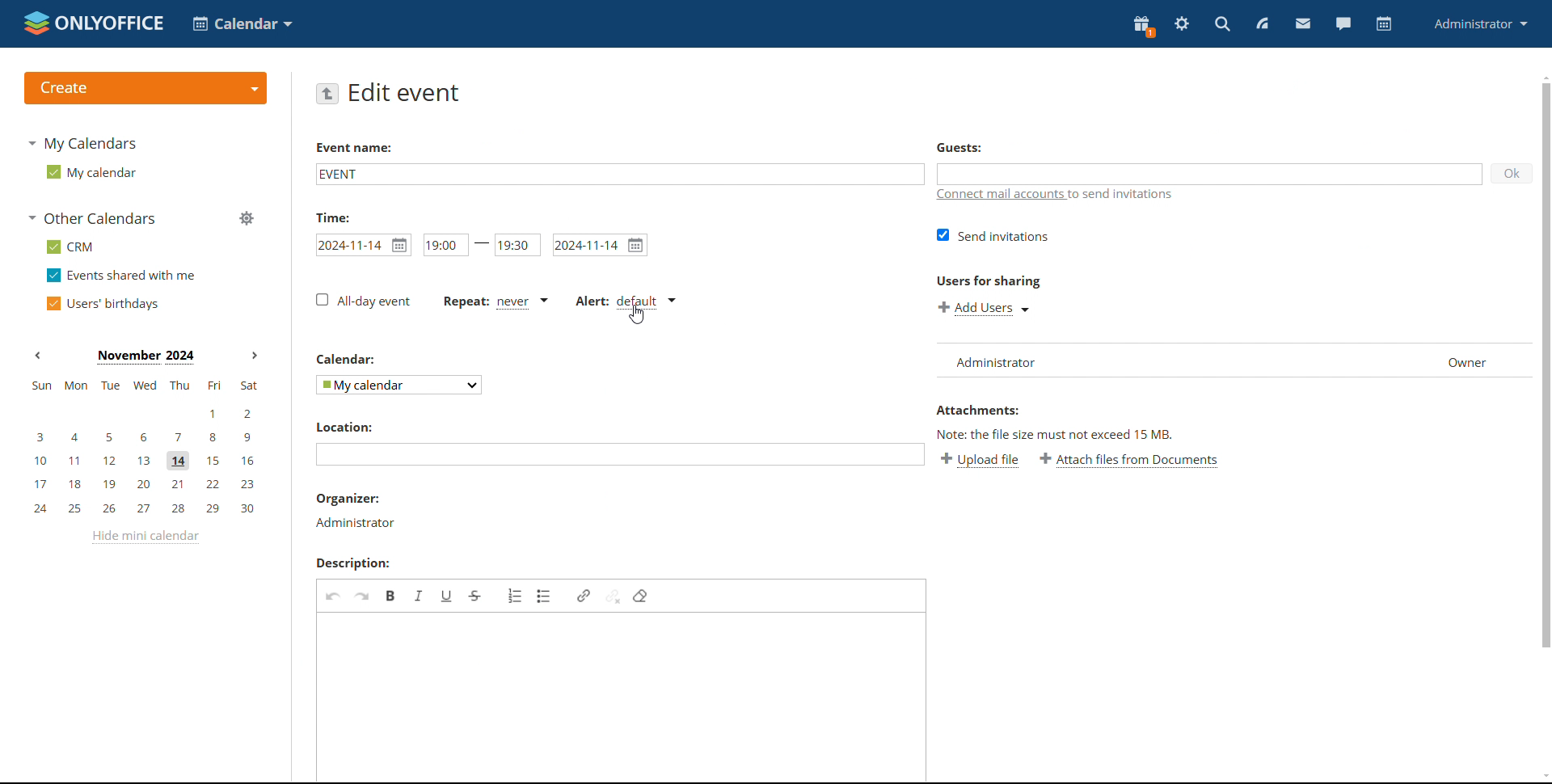 This screenshot has width=1552, height=784. What do you see at coordinates (92, 218) in the screenshot?
I see `other calendars` at bounding box center [92, 218].